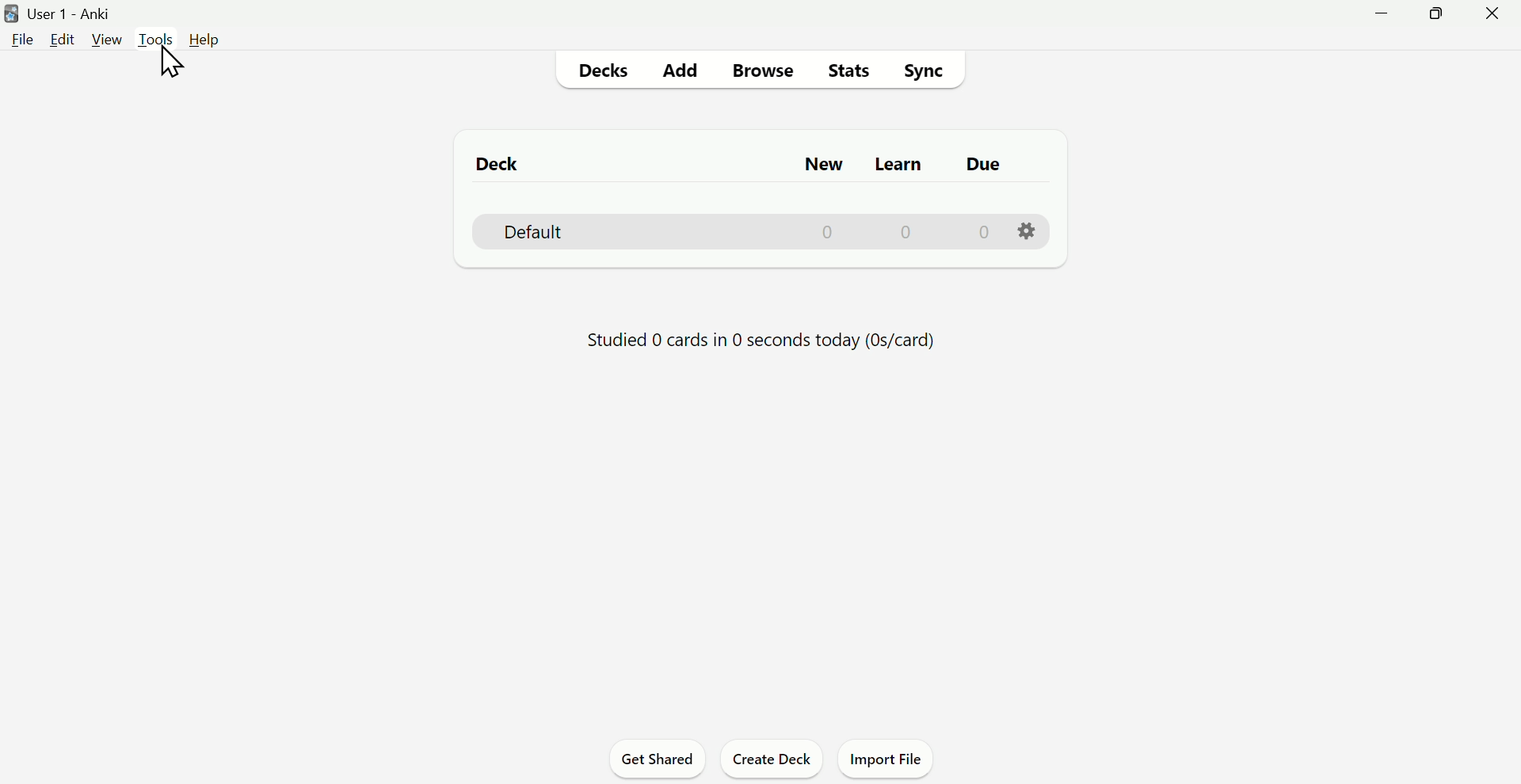 Image resolution: width=1521 pixels, height=784 pixels. Describe the element at coordinates (679, 68) in the screenshot. I see `Add` at that location.